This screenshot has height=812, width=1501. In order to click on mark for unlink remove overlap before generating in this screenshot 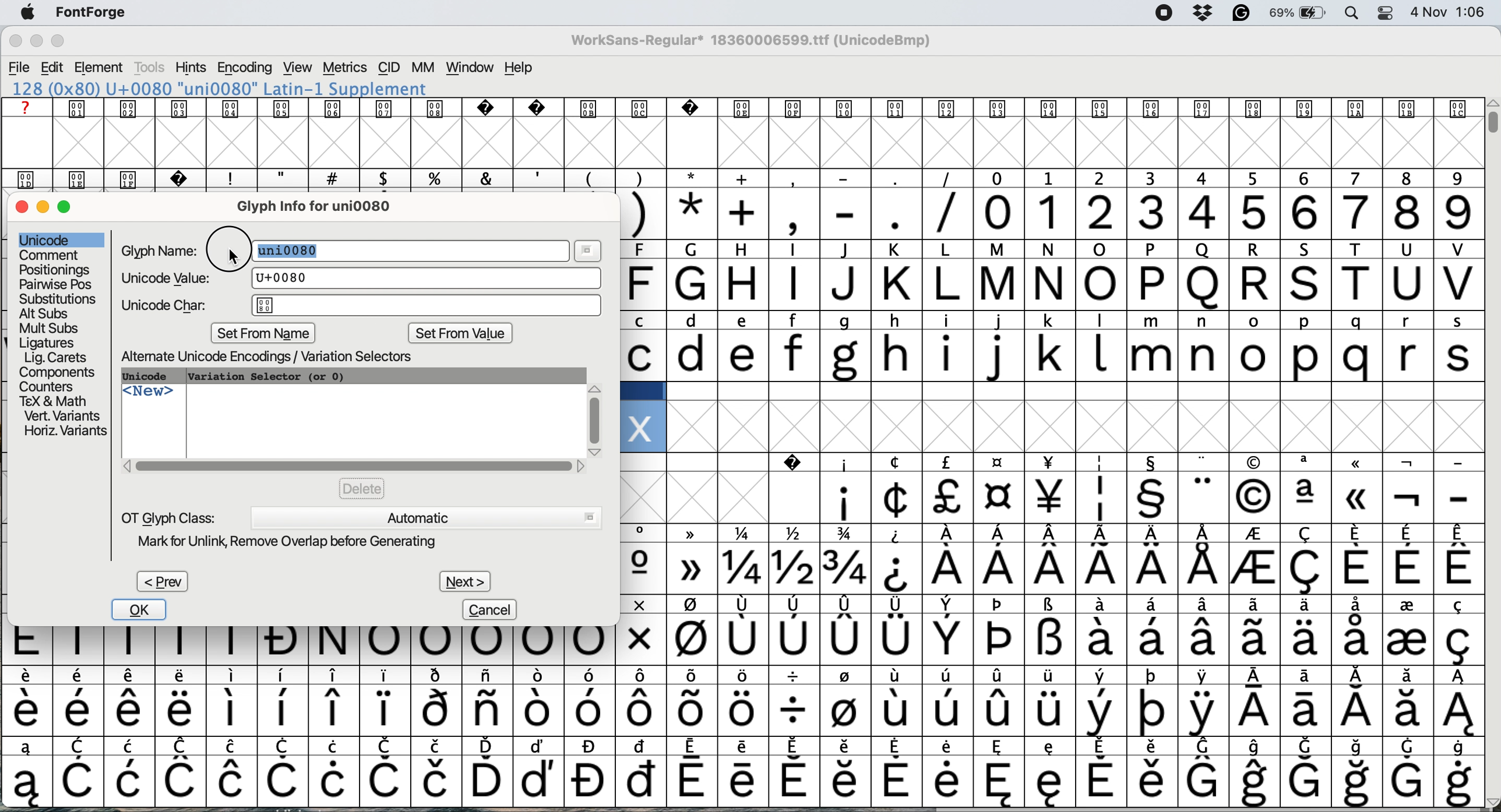, I will do `click(300, 543)`.